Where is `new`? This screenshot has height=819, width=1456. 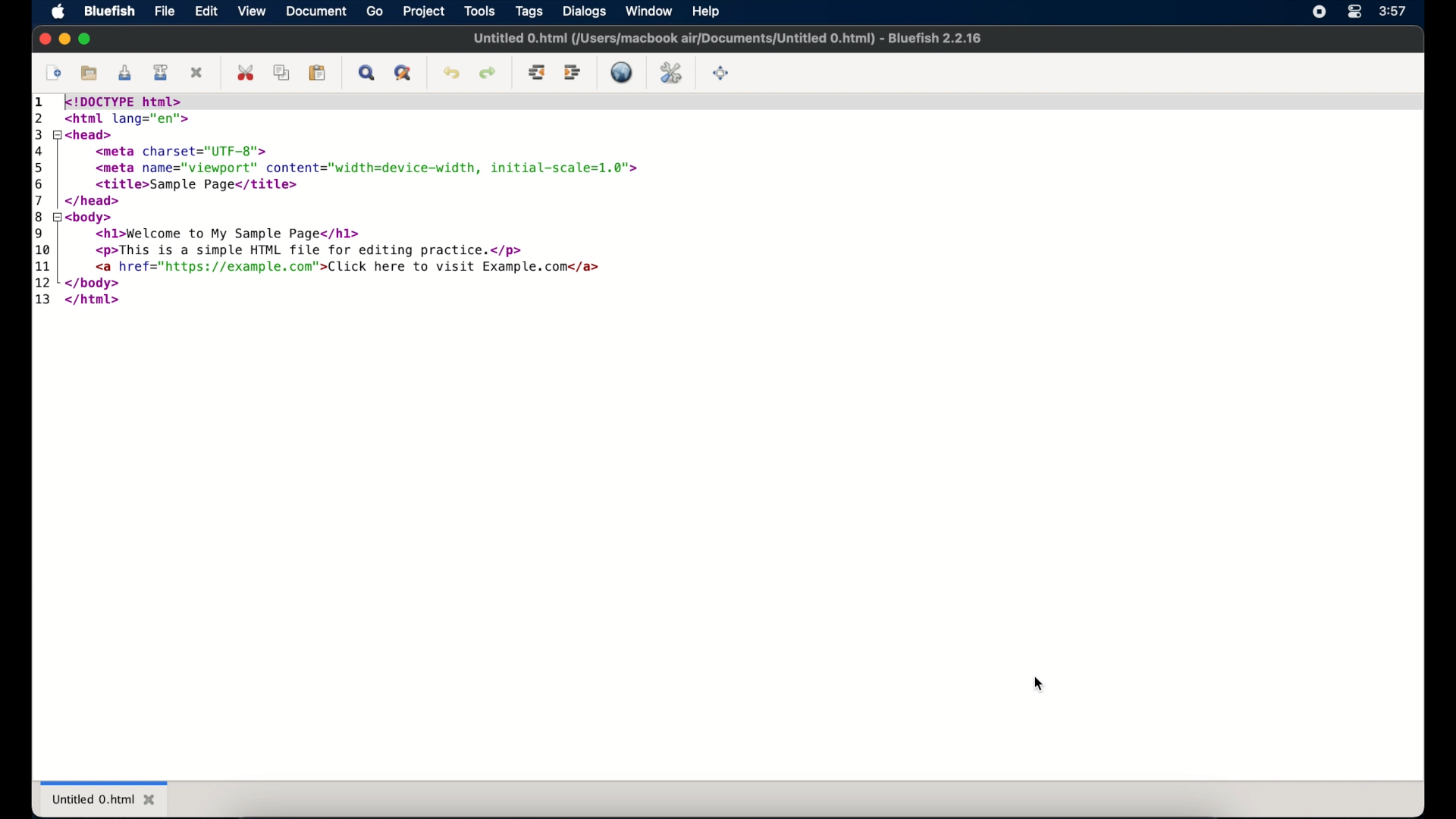 new is located at coordinates (52, 74).